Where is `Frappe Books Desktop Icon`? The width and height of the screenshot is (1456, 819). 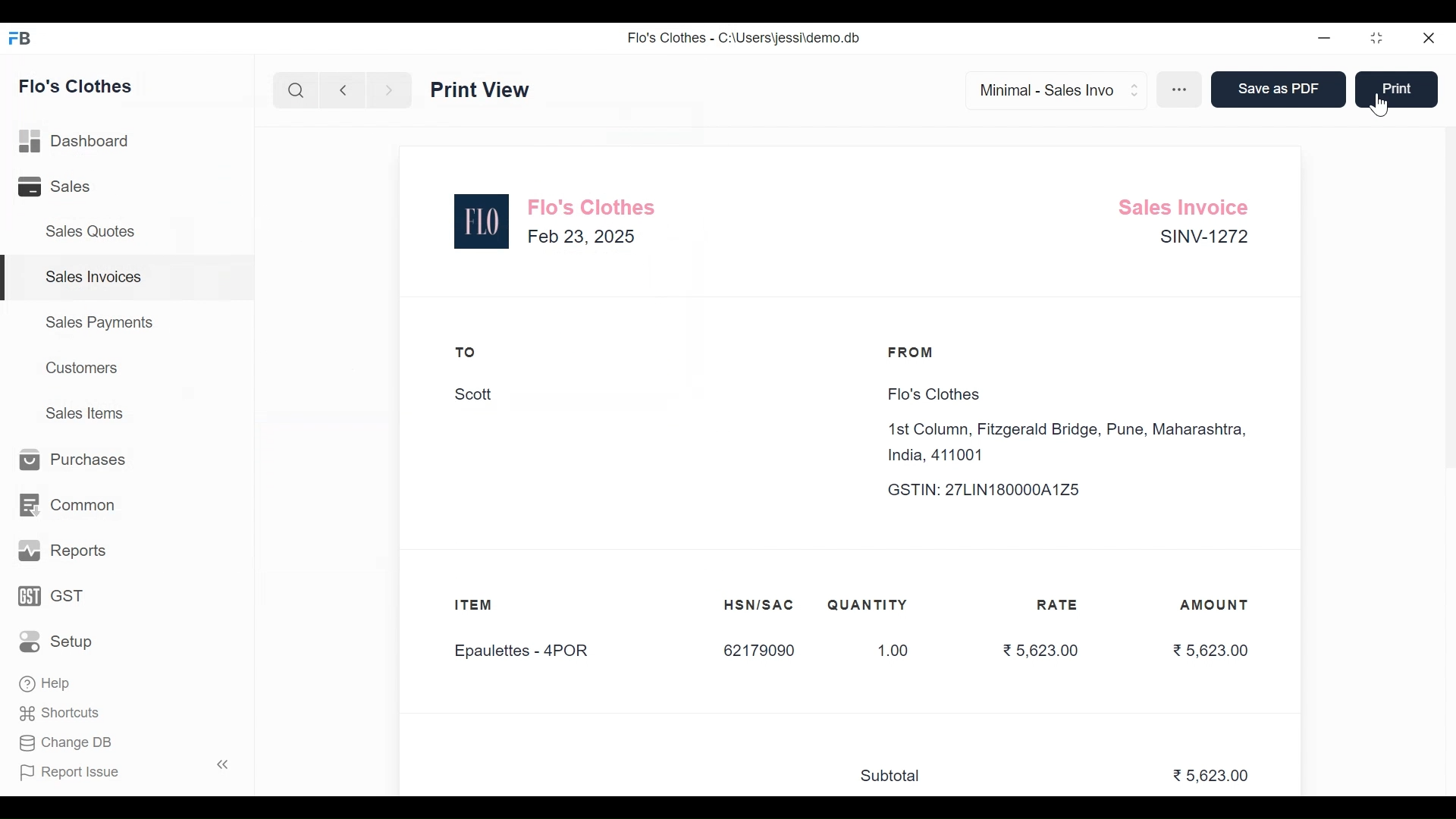 Frappe Books Desktop Icon is located at coordinates (20, 38).